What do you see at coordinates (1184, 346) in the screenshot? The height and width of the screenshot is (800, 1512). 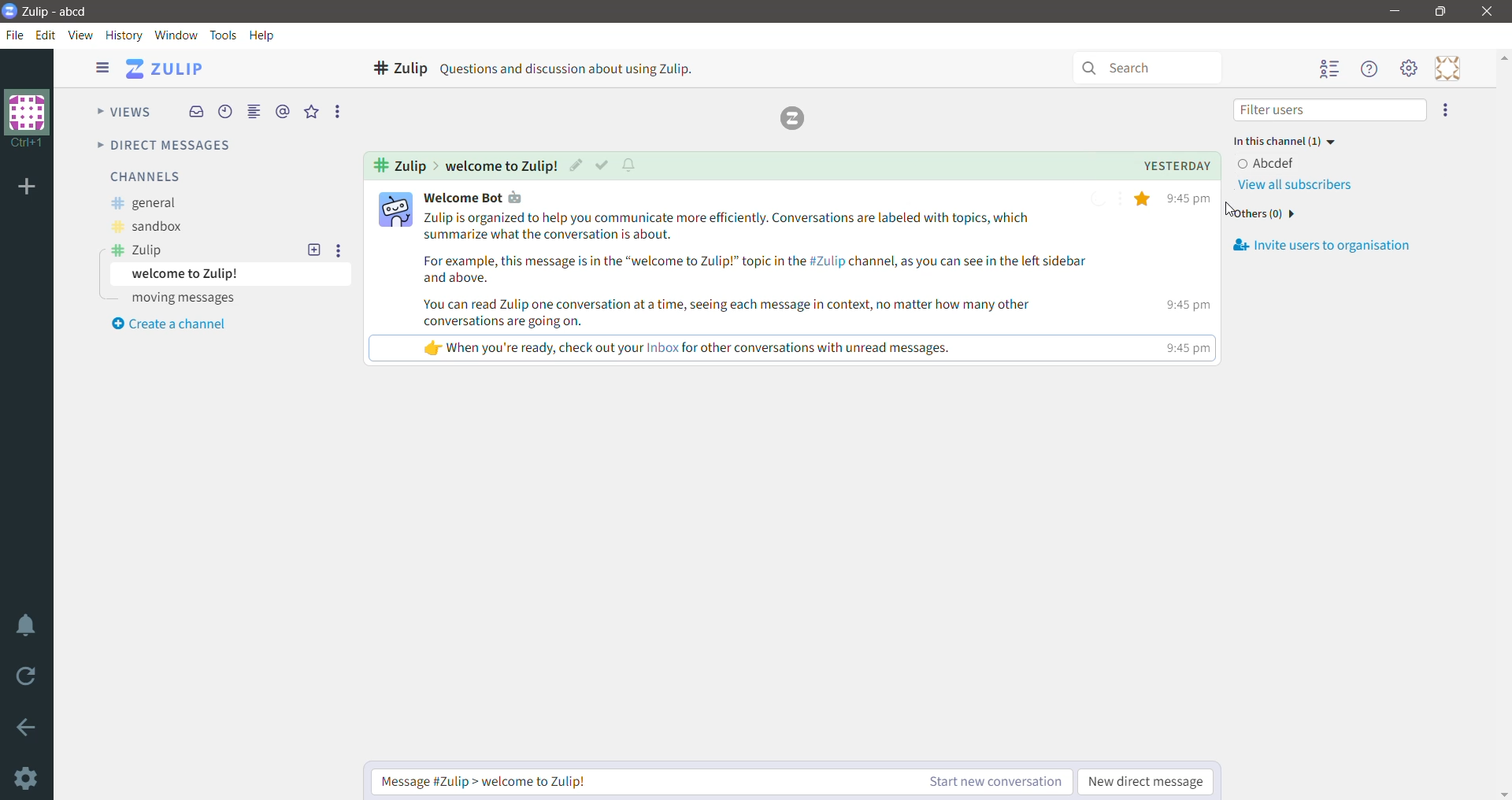 I see `time` at bounding box center [1184, 346].